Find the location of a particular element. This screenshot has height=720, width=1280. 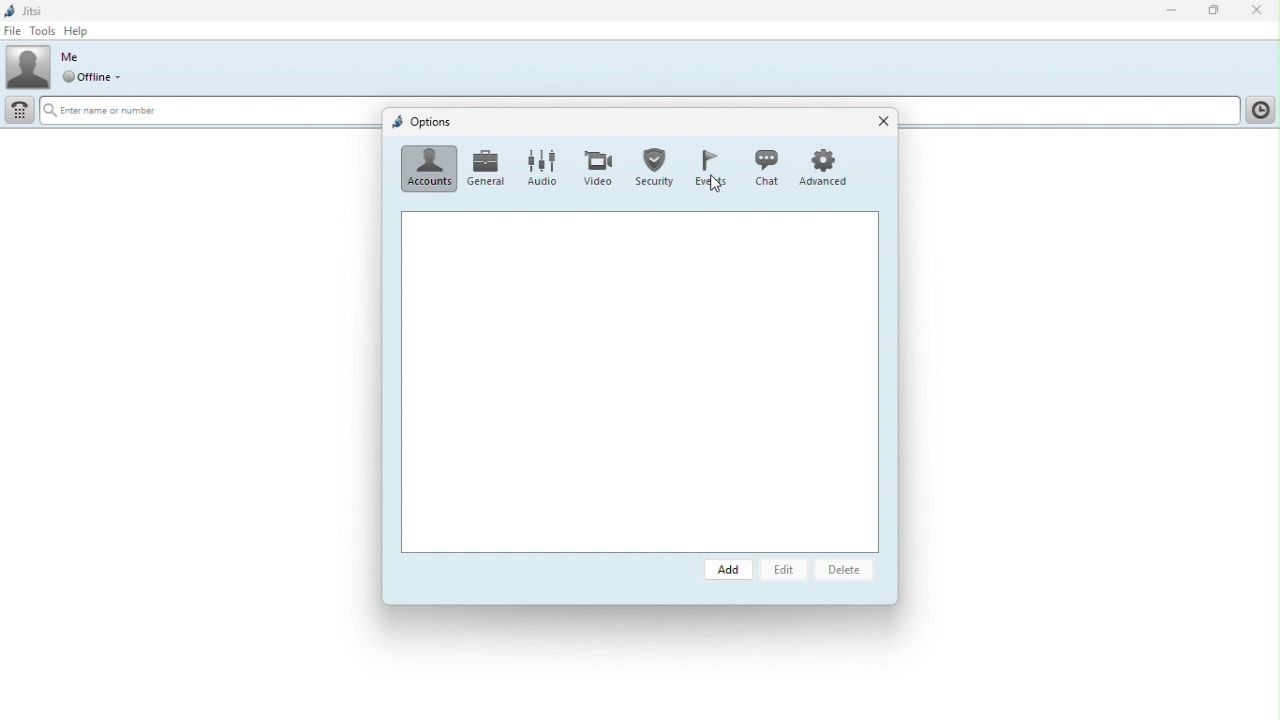

Minimise is located at coordinates (1176, 12).